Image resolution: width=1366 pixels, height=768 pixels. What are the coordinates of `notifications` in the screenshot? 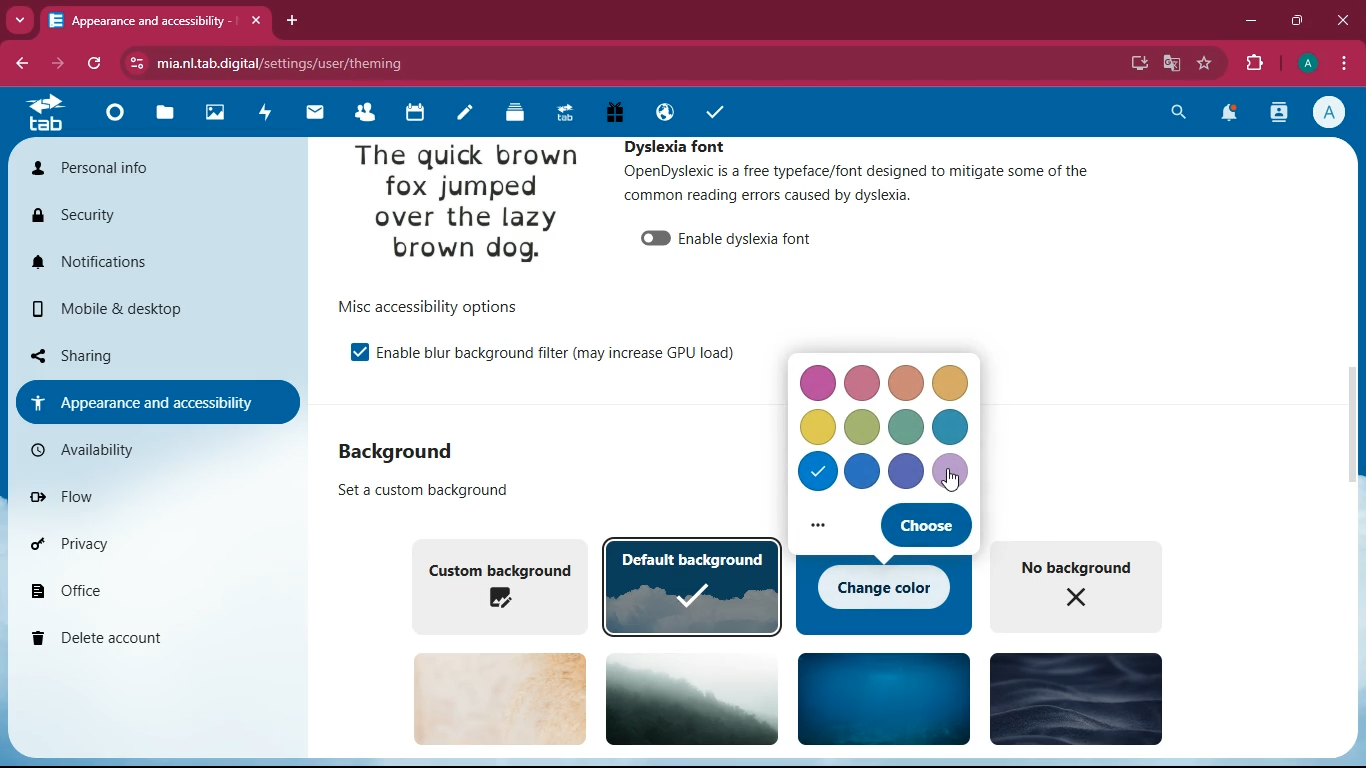 It's located at (1228, 116).